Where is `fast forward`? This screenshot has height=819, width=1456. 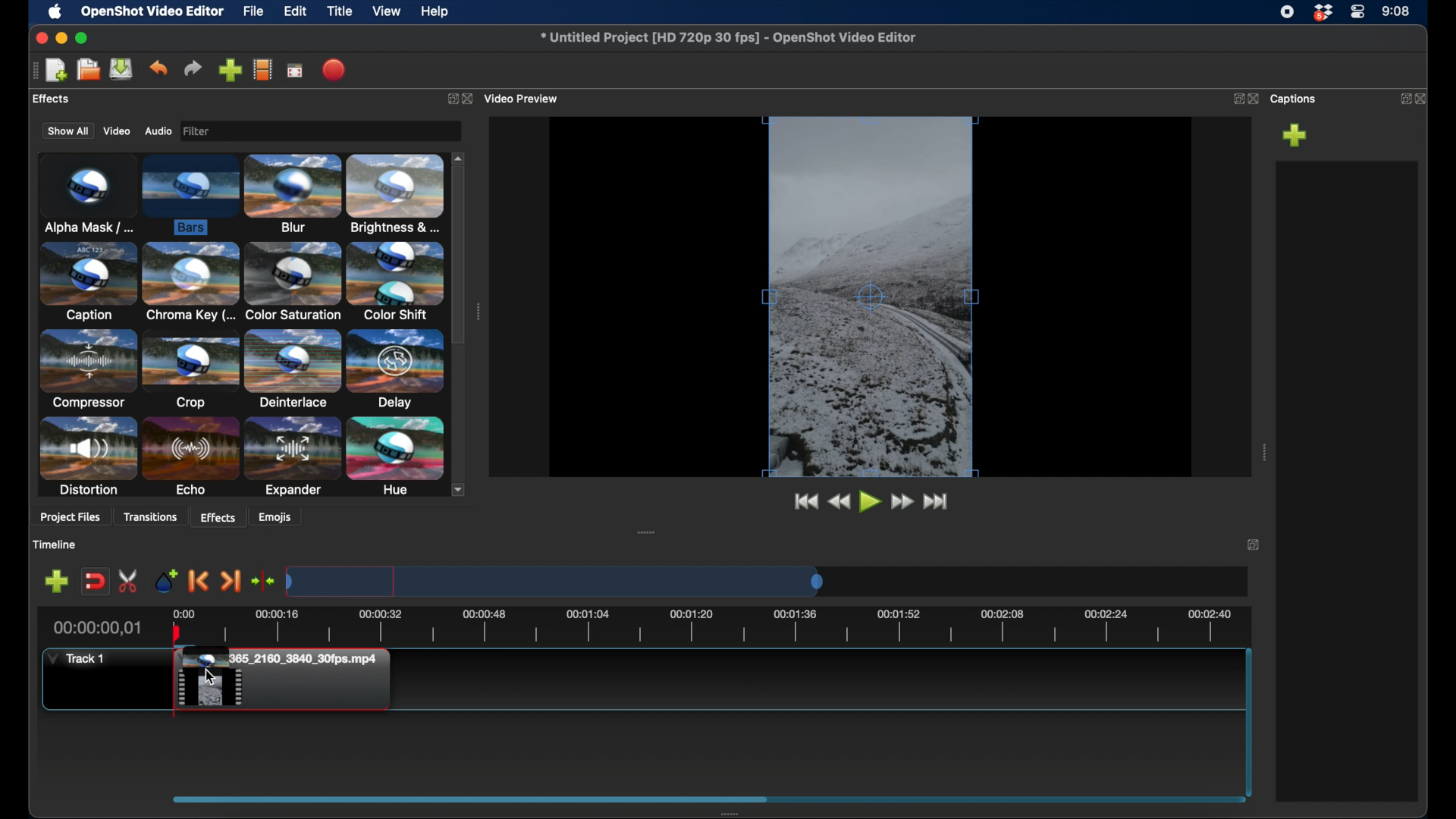
fast forward is located at coordinates (903, 501).